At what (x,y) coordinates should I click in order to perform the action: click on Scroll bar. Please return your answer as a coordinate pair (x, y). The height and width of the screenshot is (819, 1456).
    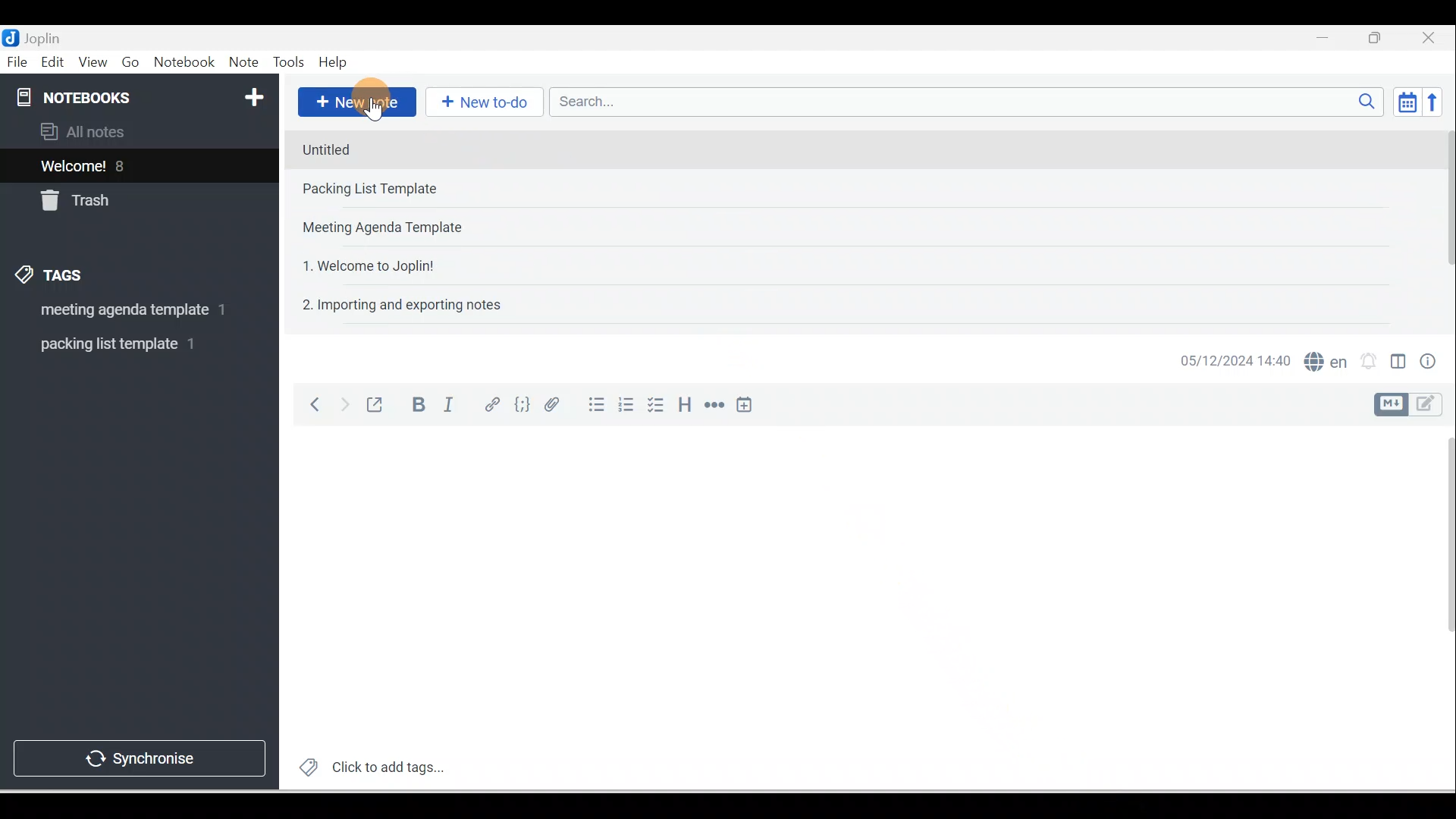
    Looking at the image, I should click on (1439, 608).